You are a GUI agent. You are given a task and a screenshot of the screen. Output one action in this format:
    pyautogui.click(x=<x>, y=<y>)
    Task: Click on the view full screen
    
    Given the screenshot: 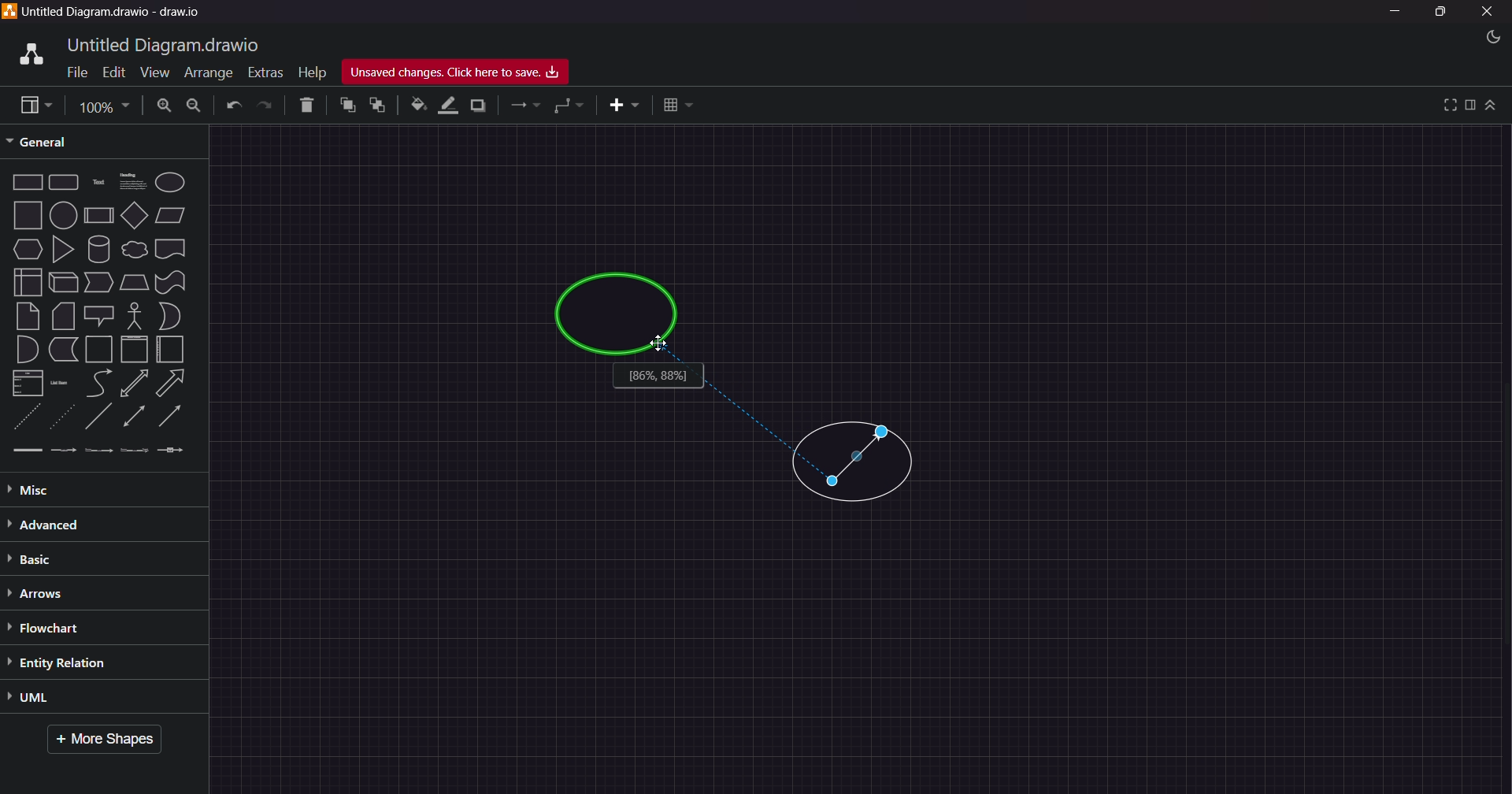 What is the action you would take?
    pyautogui.click(x=1447, y=104)
    